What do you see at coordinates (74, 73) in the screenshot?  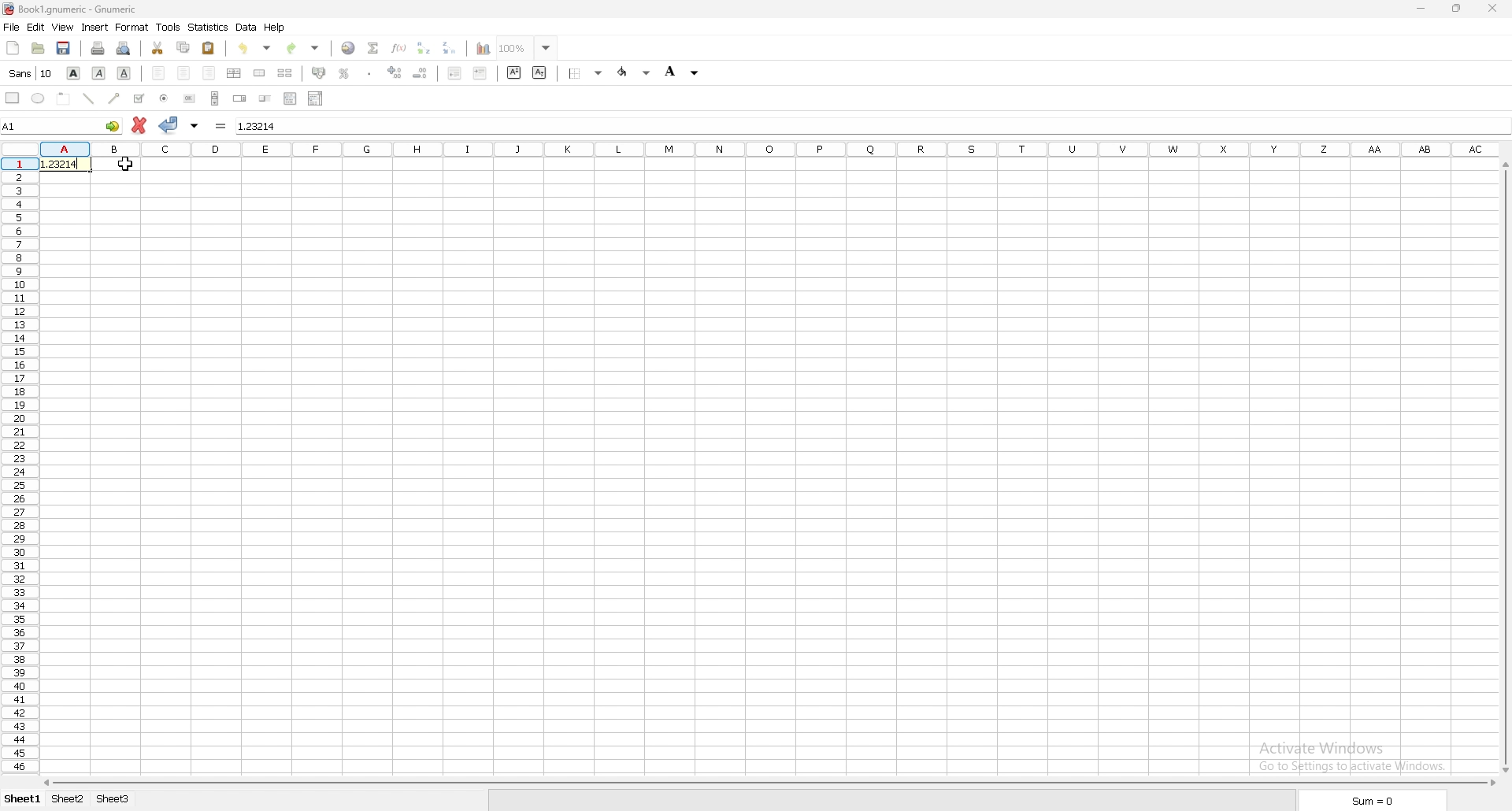 I see `bold` at bounding box center [74, 73].